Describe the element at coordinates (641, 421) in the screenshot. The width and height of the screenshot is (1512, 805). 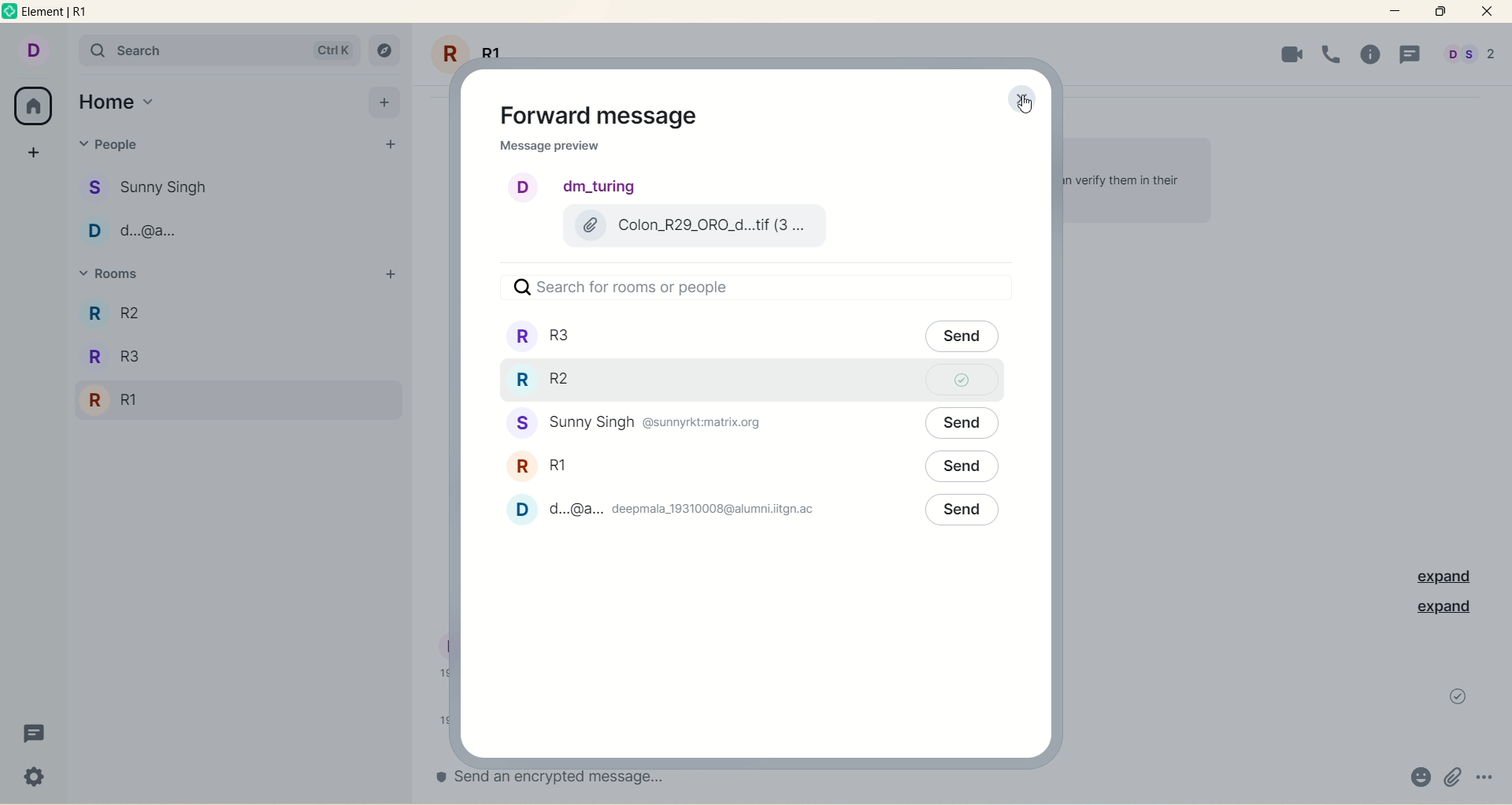
I see `people` at that location.